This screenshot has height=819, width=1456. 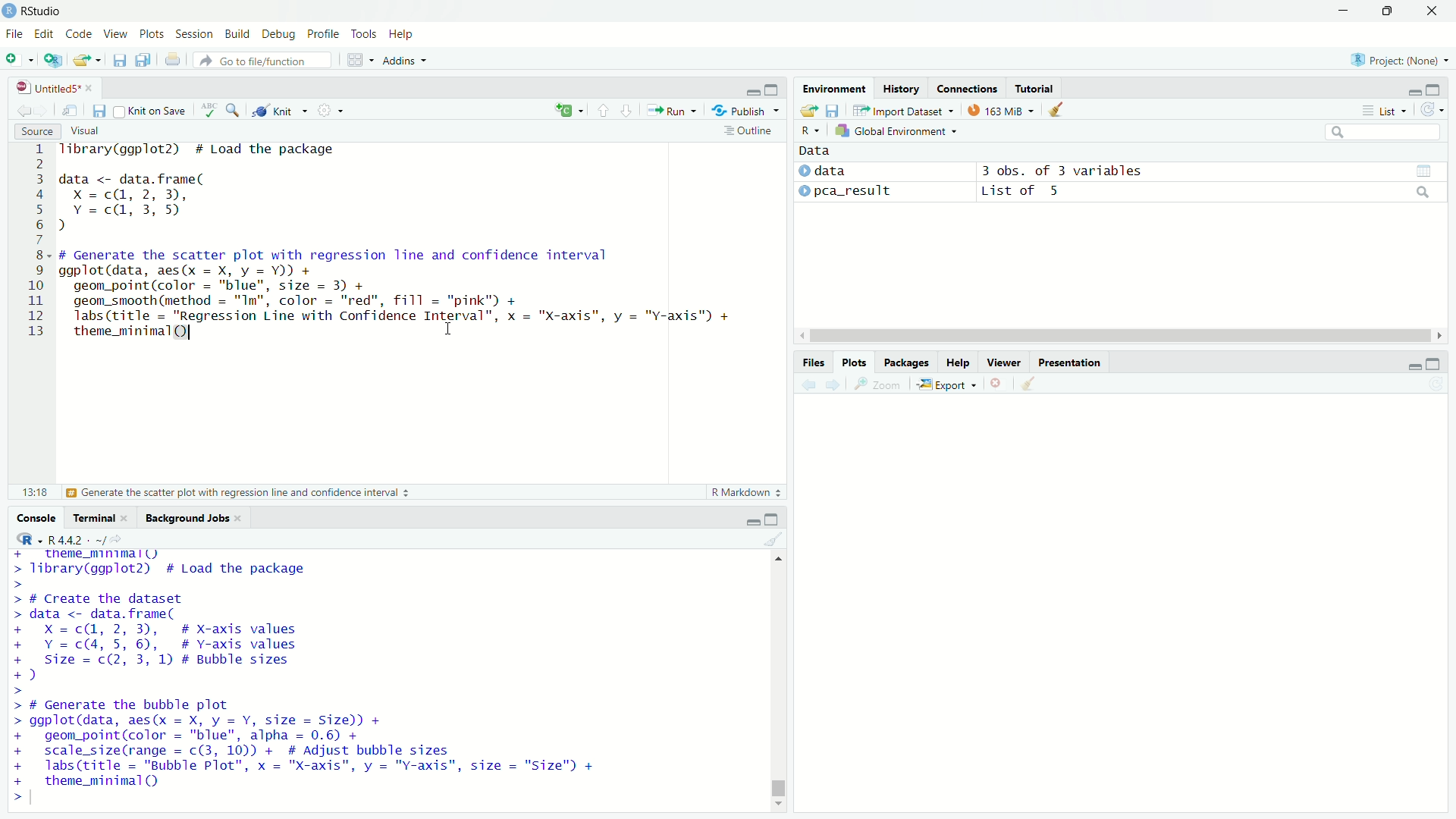 What do you see at coordinates (233, 110) in the screenshot?
I see `Find/Replace` at bounding box center [233, 110].